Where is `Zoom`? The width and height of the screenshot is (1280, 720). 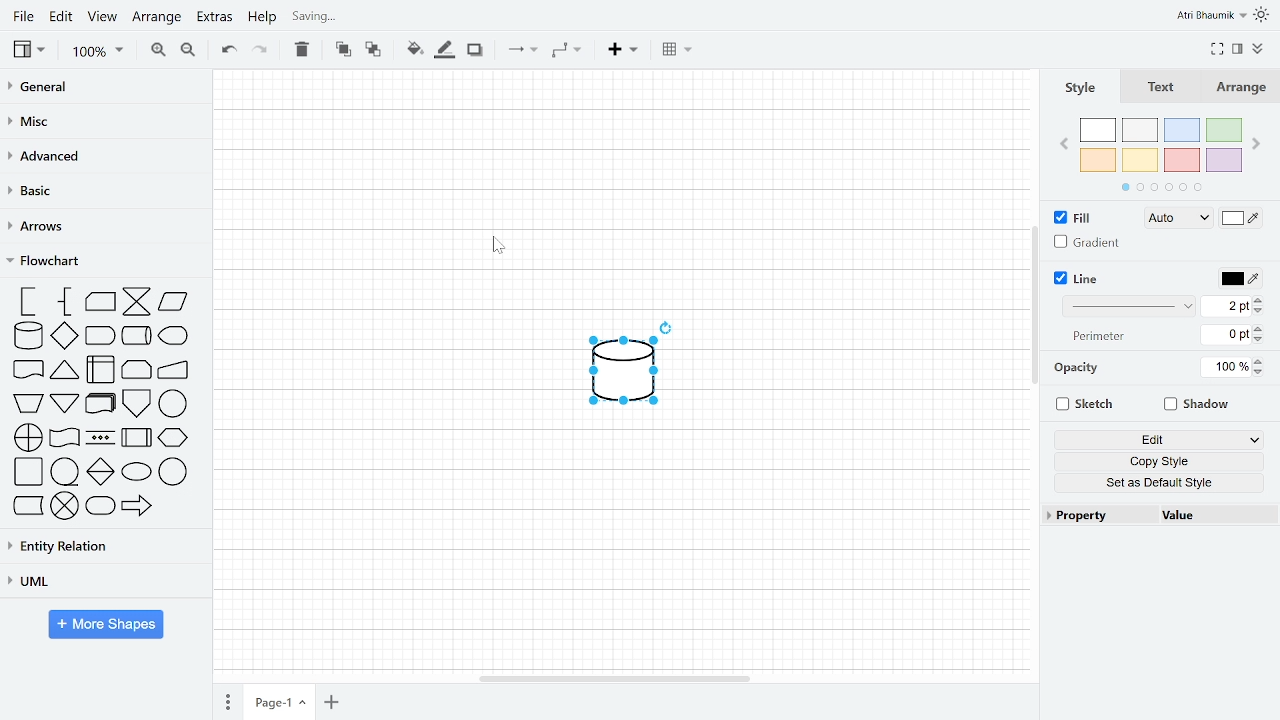
Zoom is located at coordinates (96, 52).